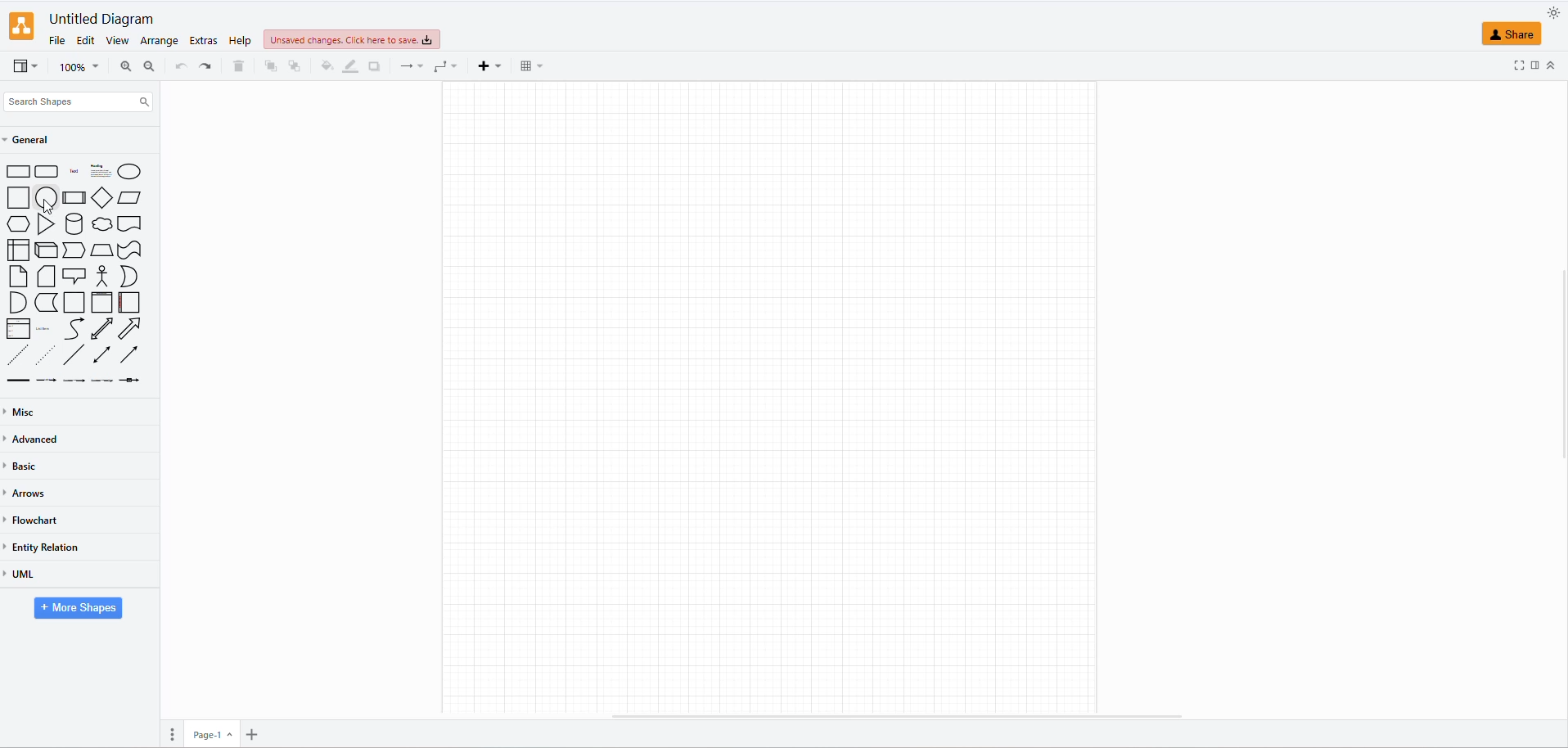 Image resolution: width=1568 pixels, height=748 pixels. Describe the element at coordinates (54, 40) in the screenshot. I see `FILE` at that location.